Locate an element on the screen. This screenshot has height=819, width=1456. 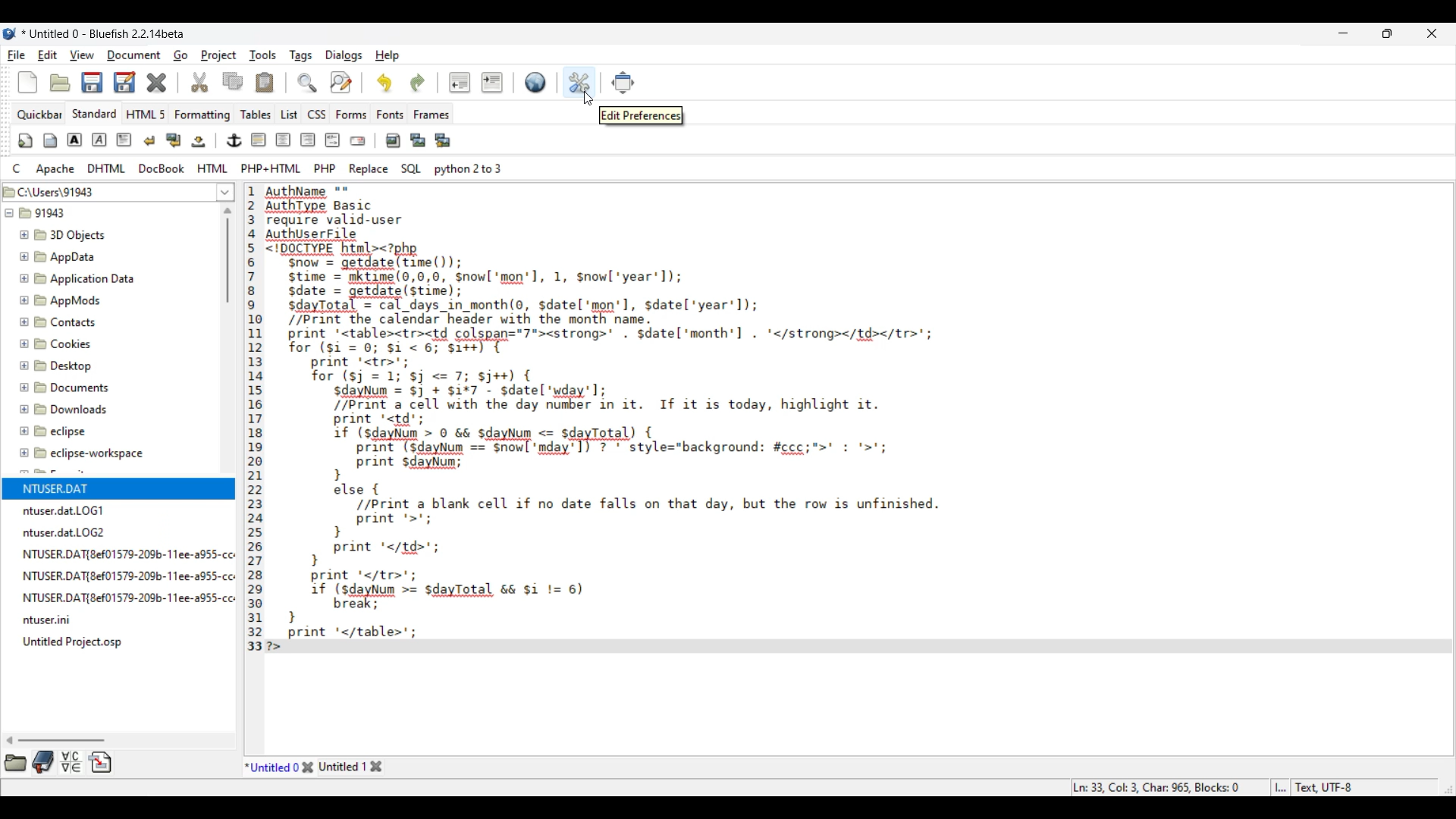
91943 is located at coordinates (45, 215).